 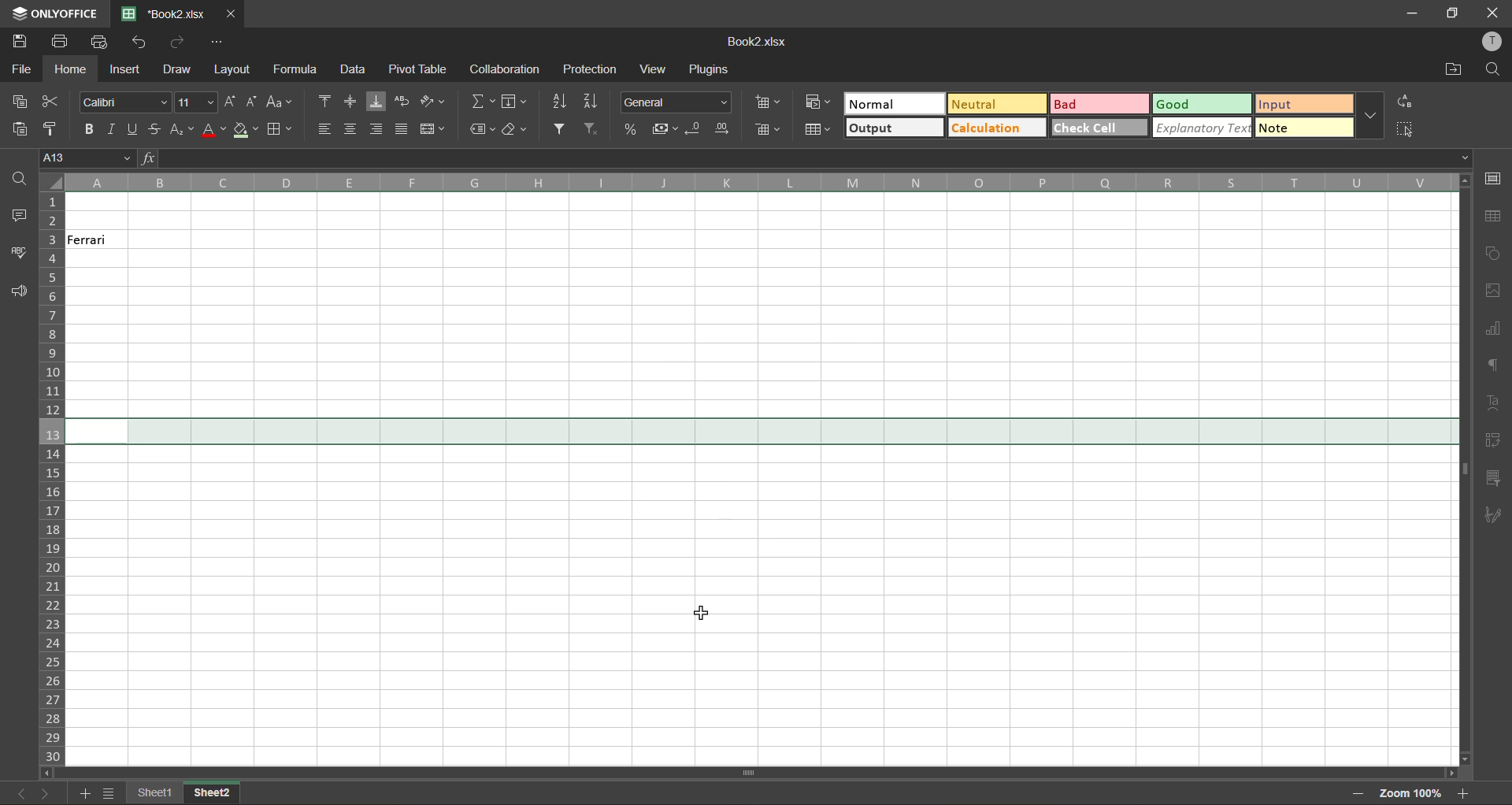 What do you see at coordinates (113, 795) in the screenshot?
I see `sheet list` at bounding box center [113, 795].